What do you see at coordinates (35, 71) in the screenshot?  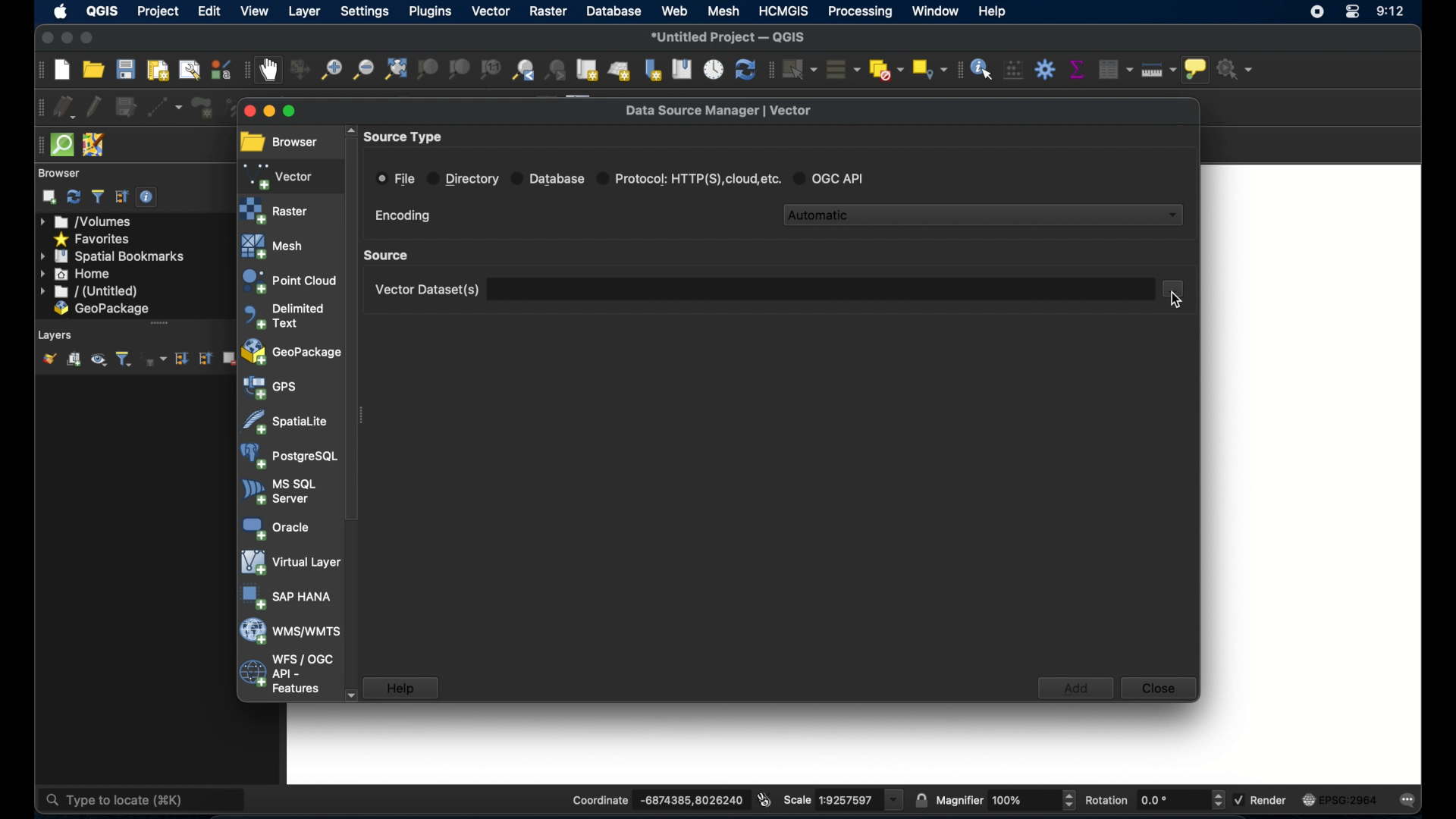 I see `project toolbar` at bounding box center [35, 71].